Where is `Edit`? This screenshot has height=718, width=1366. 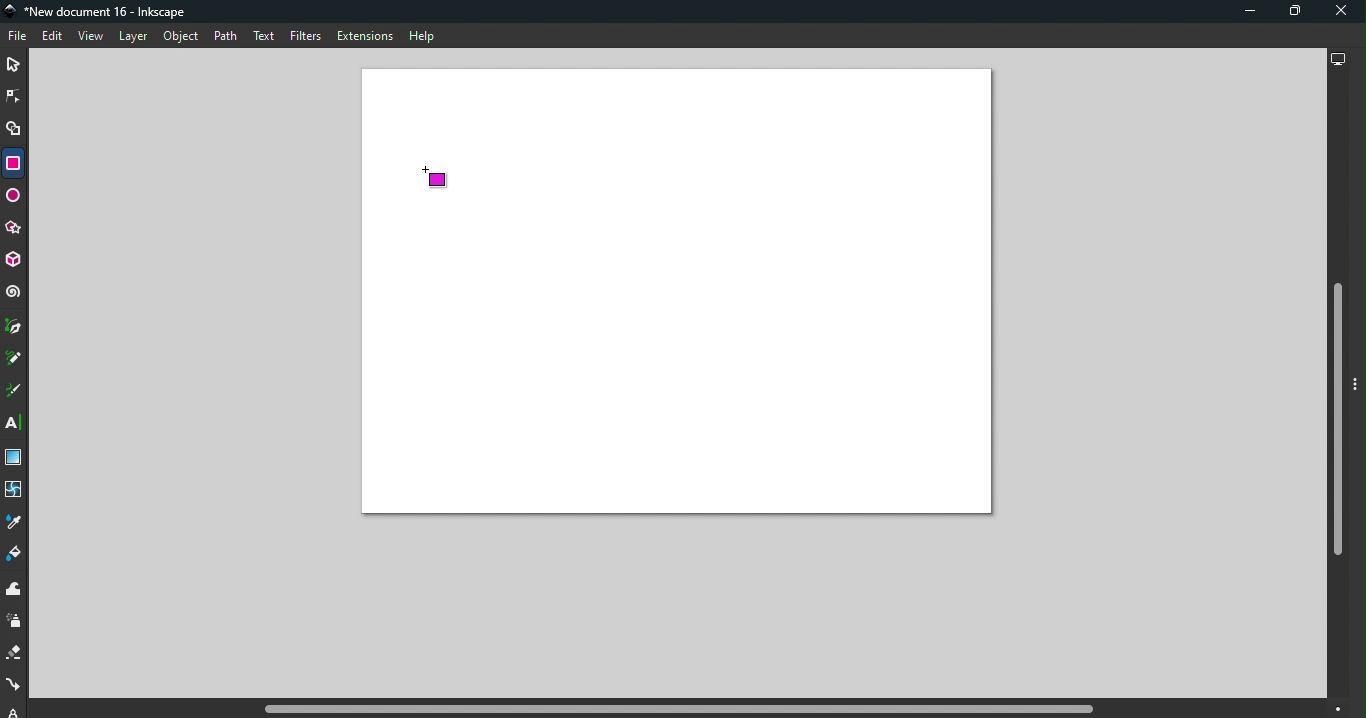
Edit is located at coordinates (51, 37).